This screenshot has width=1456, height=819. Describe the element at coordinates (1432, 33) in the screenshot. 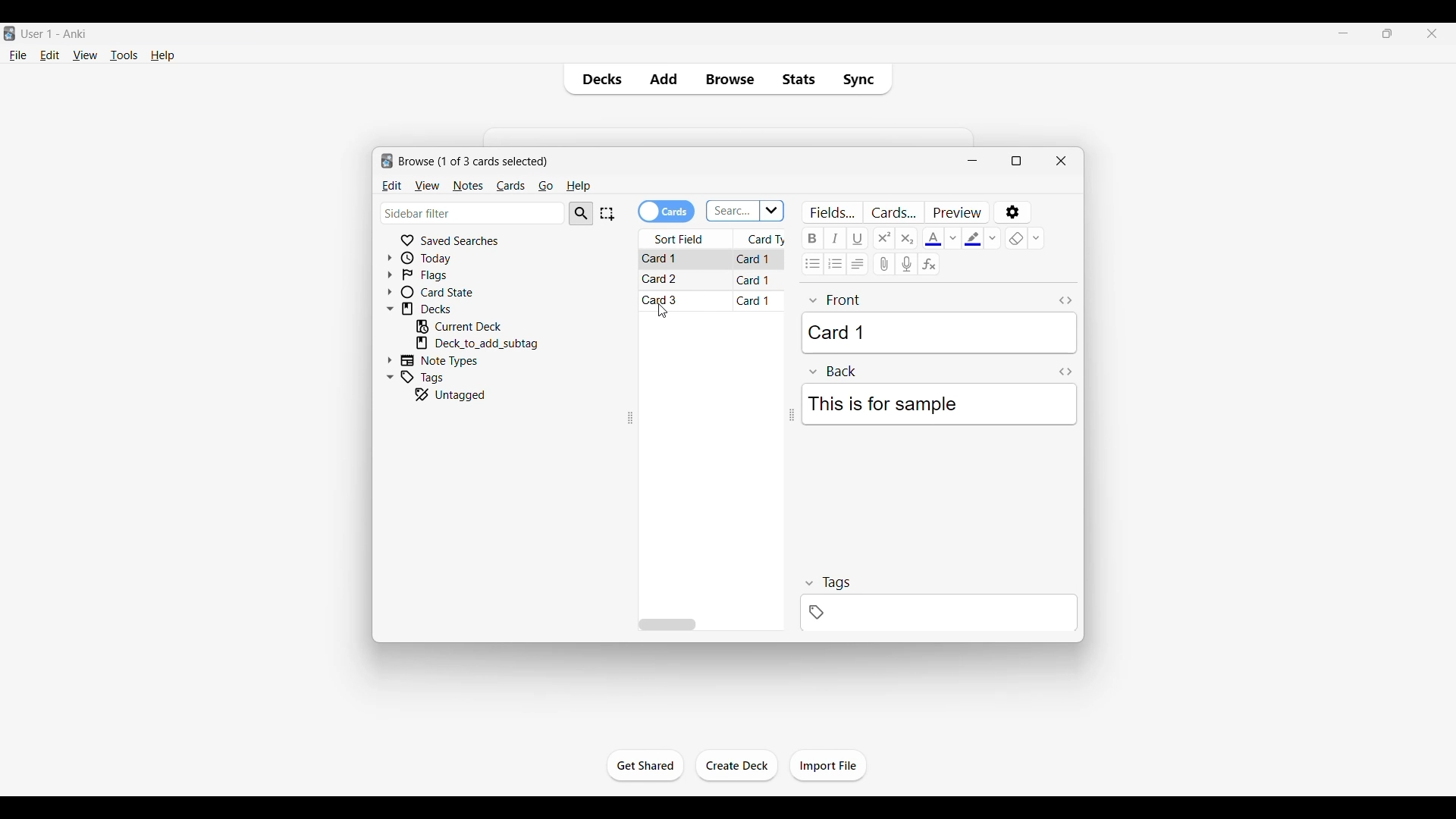

I see `Close interface` at that location.